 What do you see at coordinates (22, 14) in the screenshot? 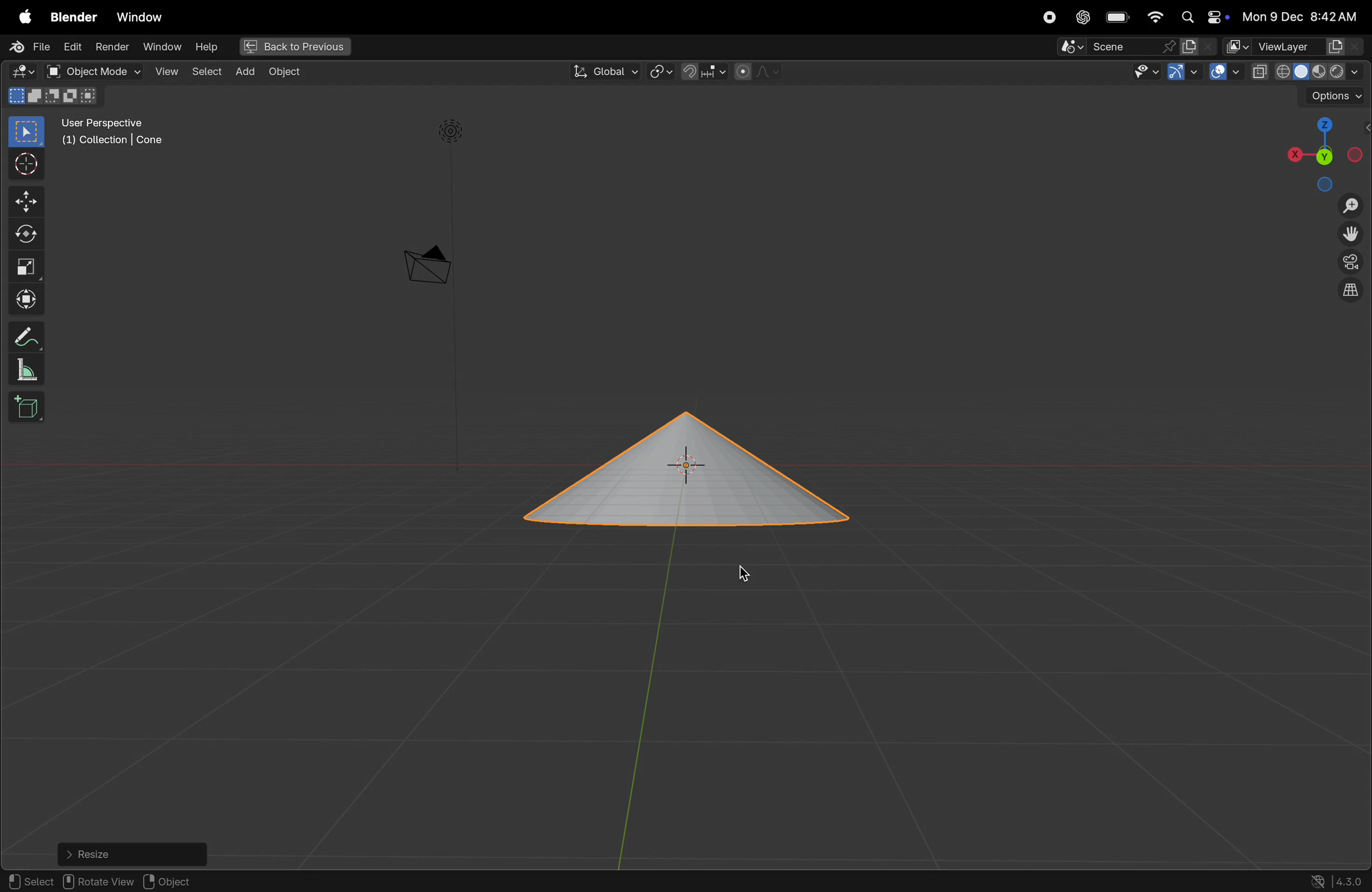
I see `apple menu` at bounding box center [22, 14].